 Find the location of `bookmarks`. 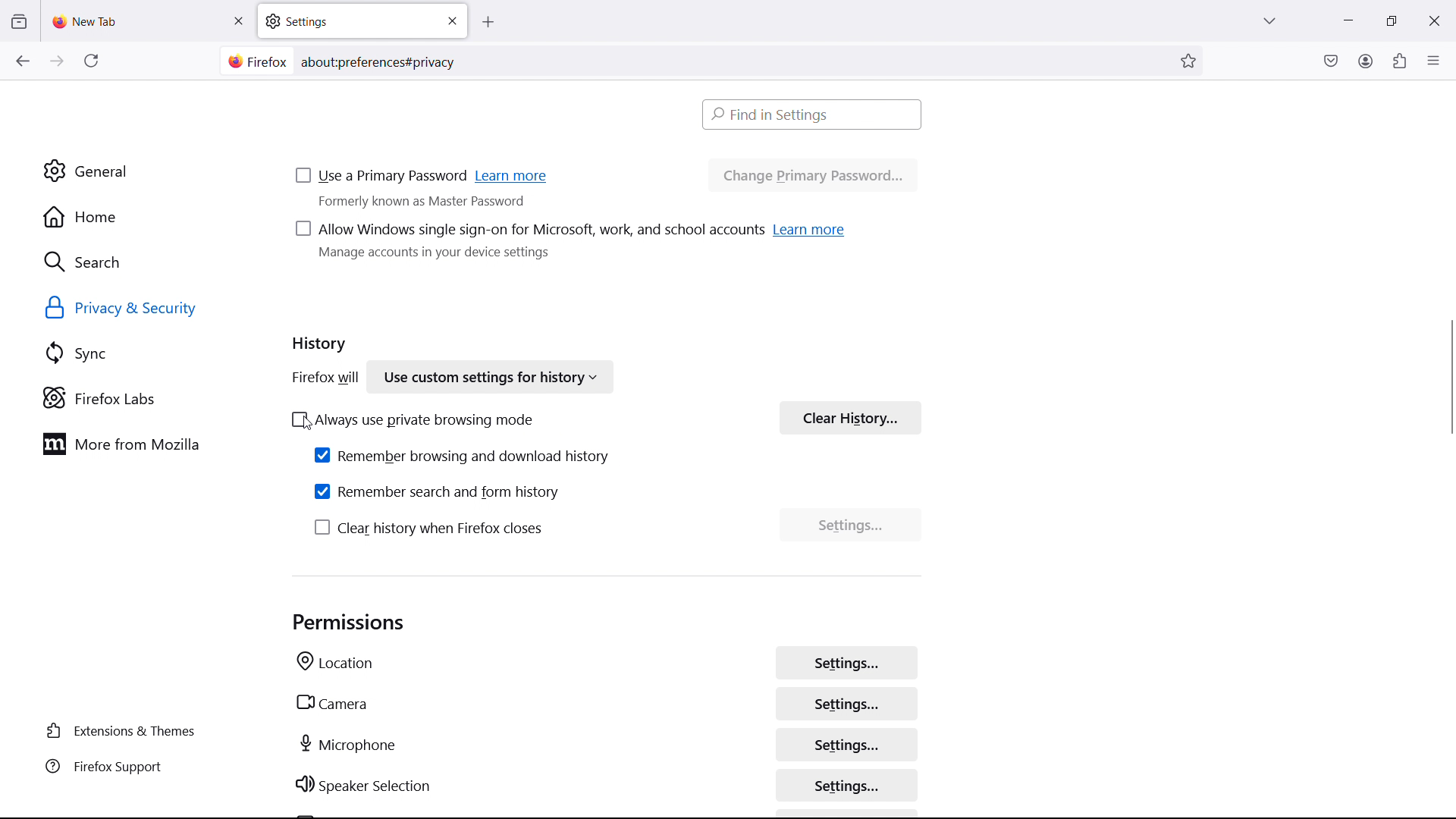

bookmarks is located at coordinates (1190, 60).